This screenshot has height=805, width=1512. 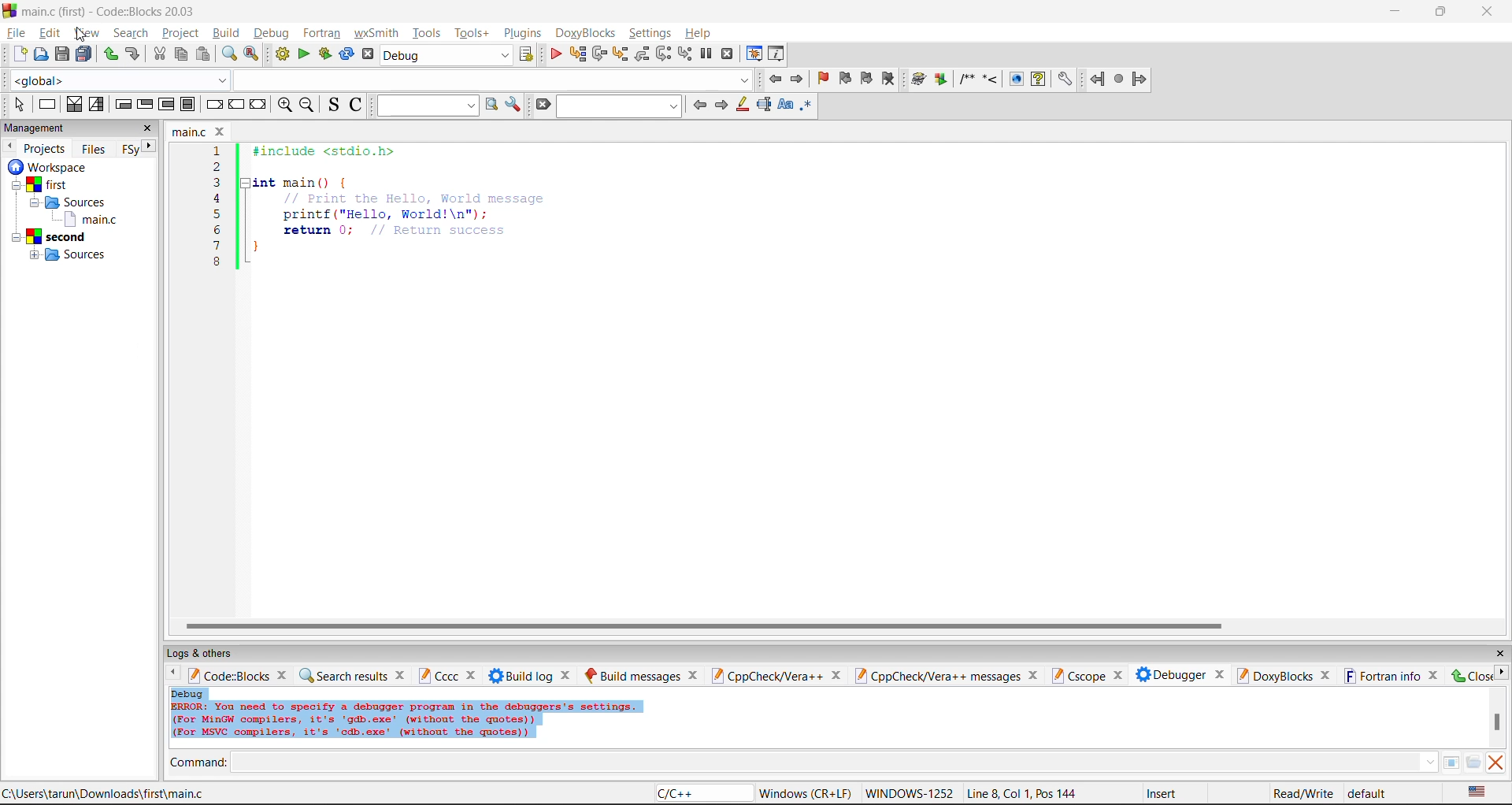 I want to click on block instruction, so click(x=188, y=104).